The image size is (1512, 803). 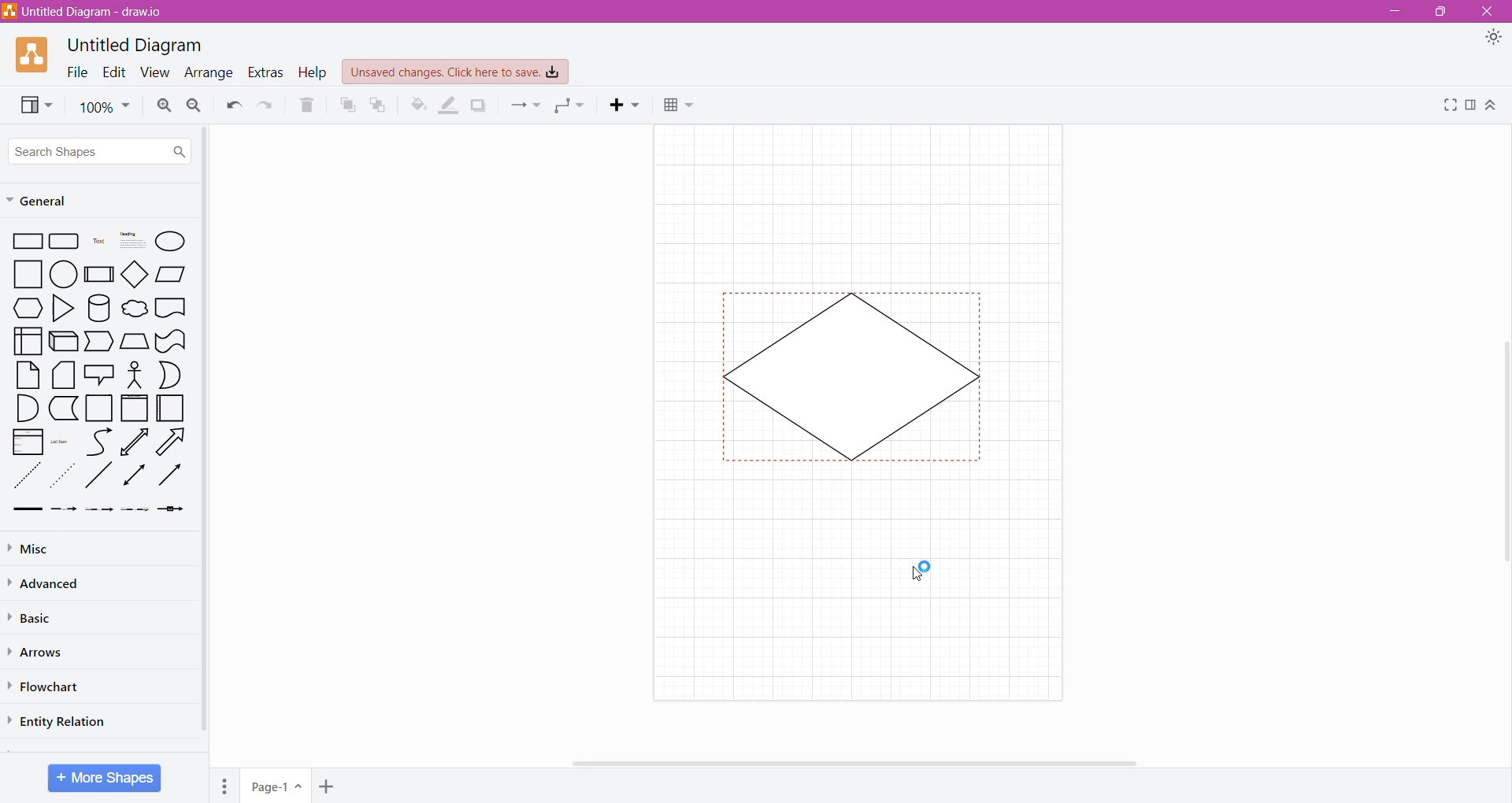 I want to click on More Shapes, so click(x=105, y=778).